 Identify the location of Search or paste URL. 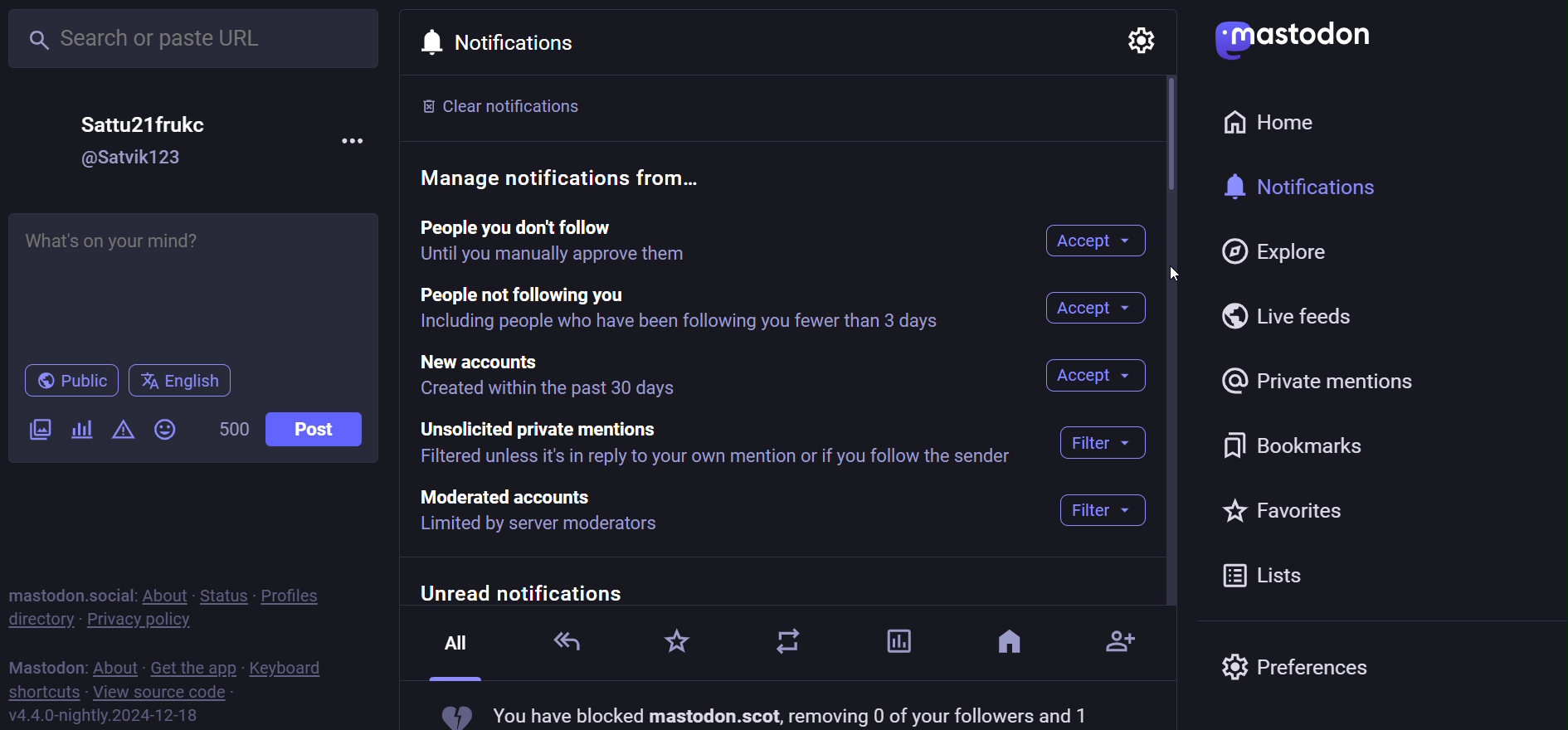
(196, 41).